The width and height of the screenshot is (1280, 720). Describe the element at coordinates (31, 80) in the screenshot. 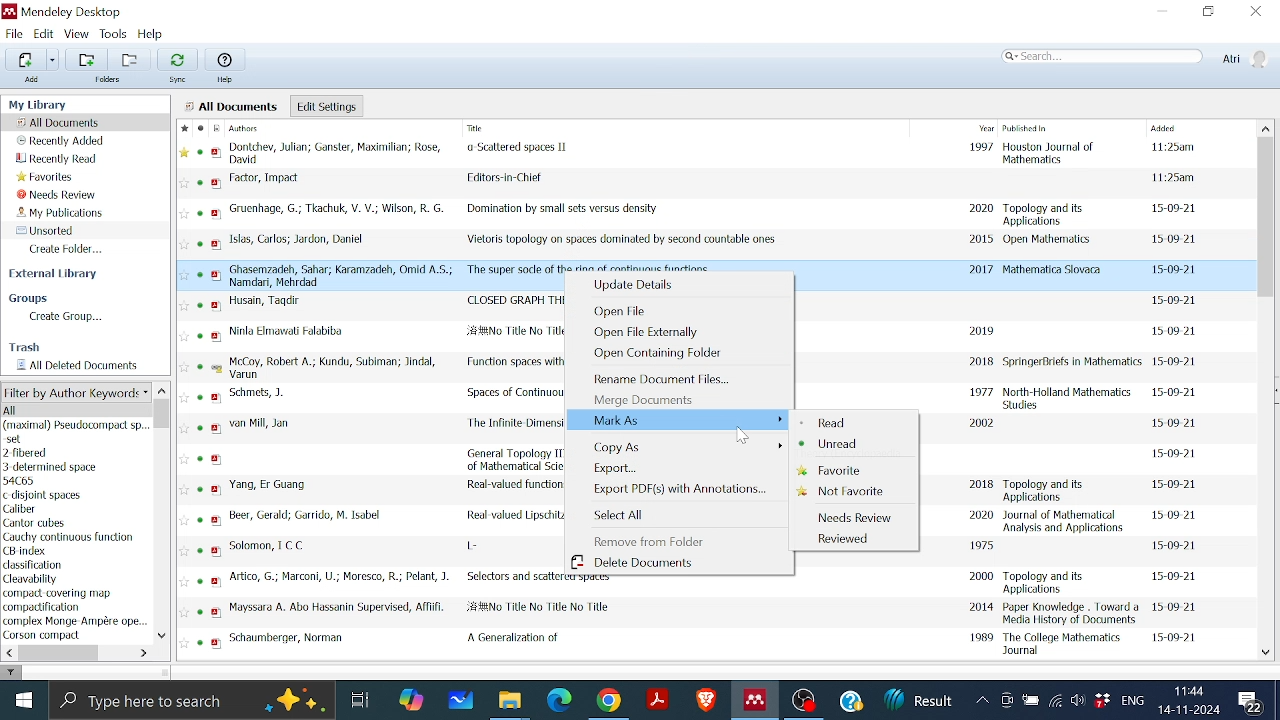

I see `Add` at that location.